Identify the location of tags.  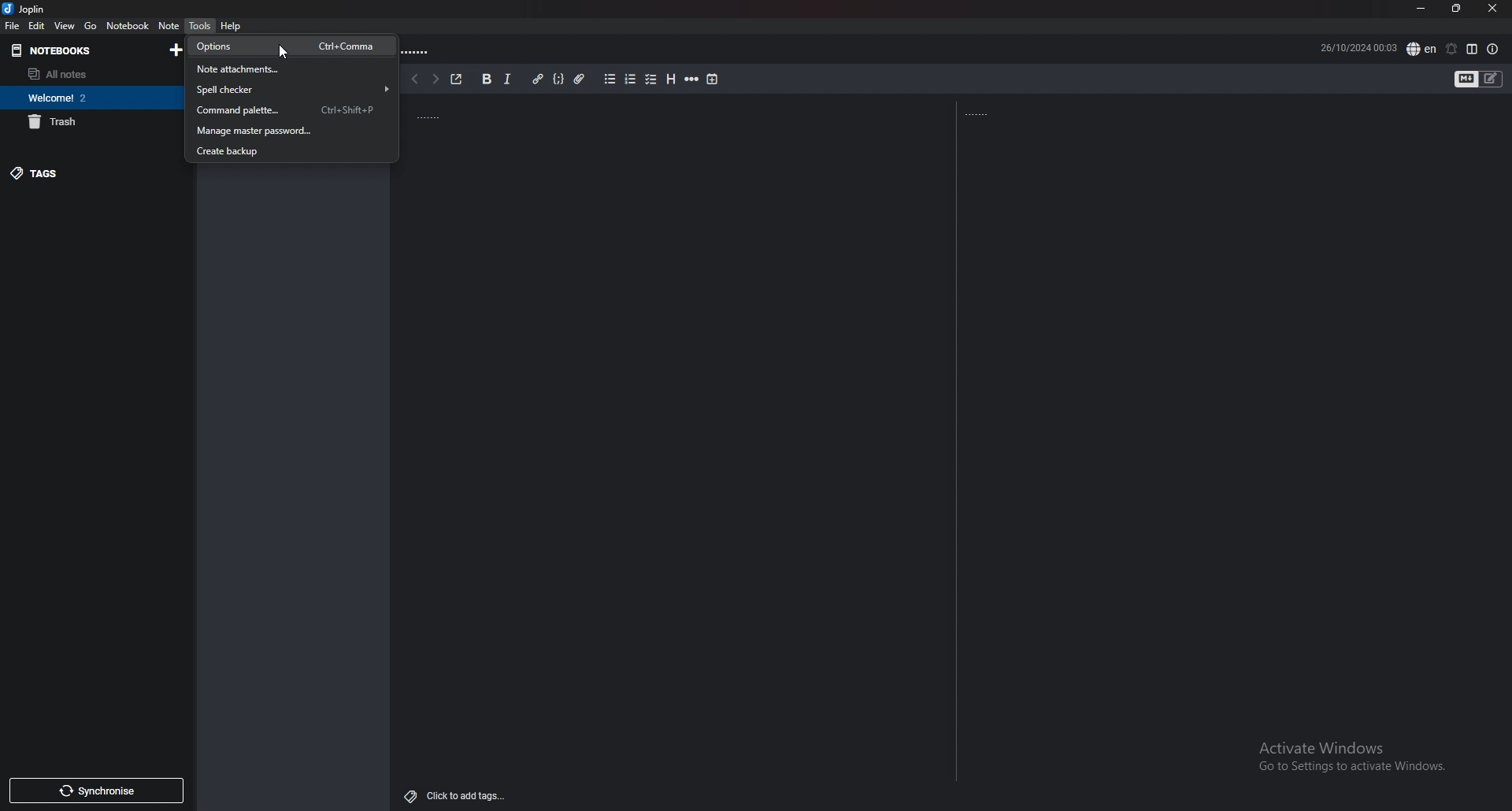
(92, 173).